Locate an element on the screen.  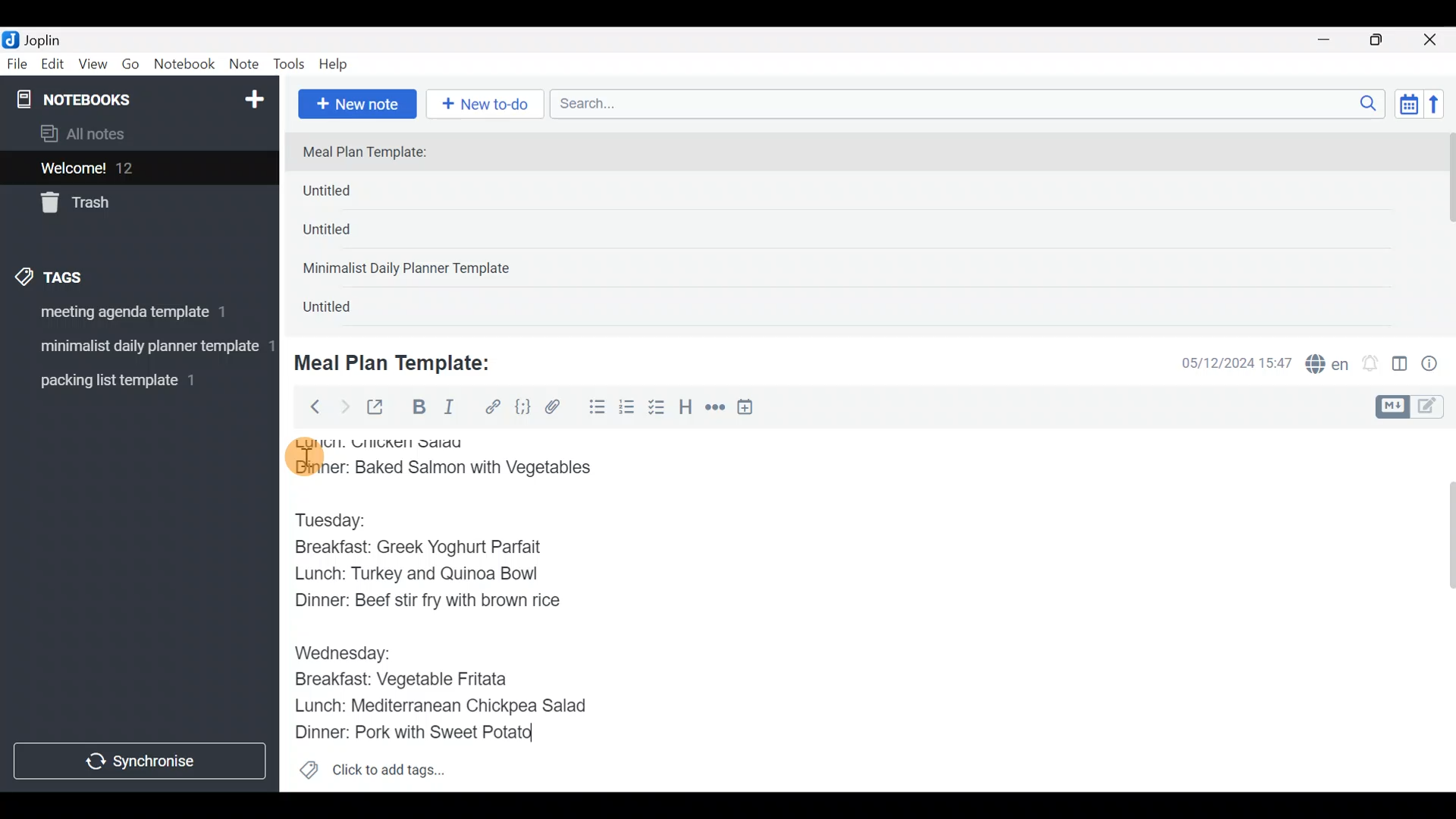
Forward is located at coordinates (344, 406).